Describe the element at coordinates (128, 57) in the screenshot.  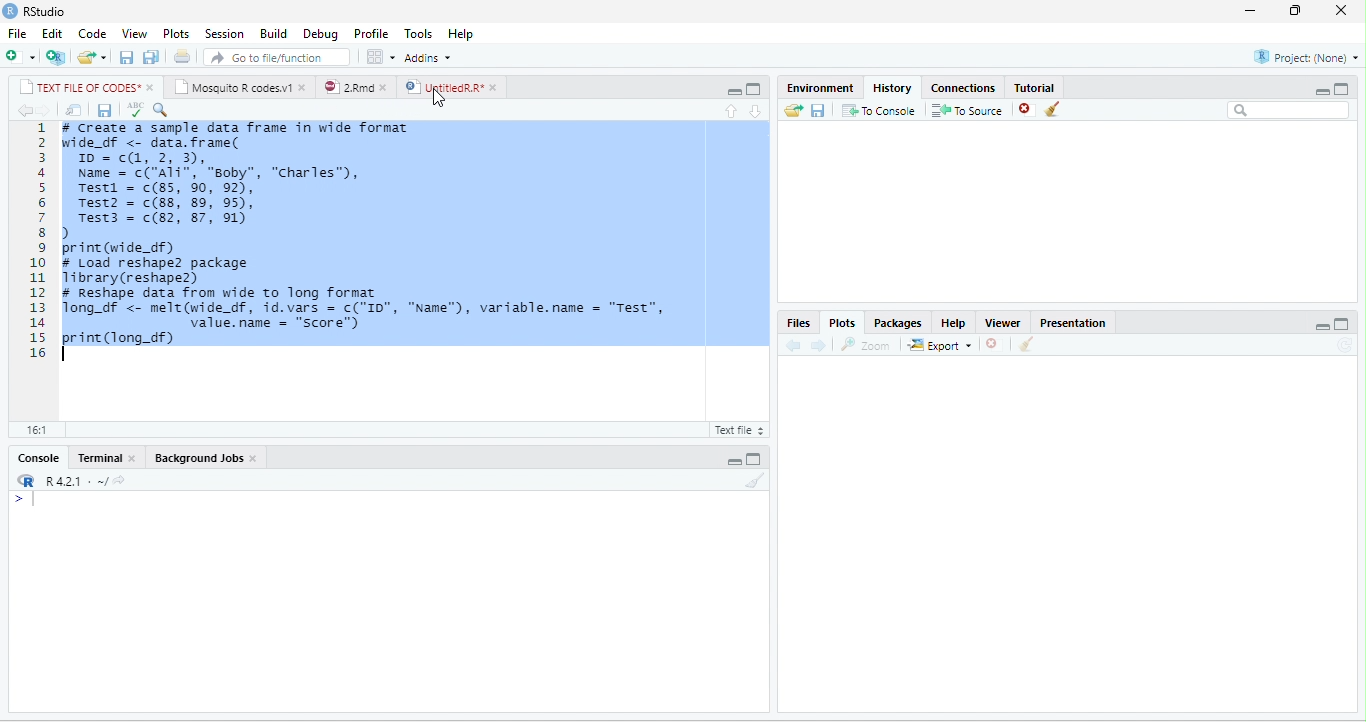
I see `save` at that location.